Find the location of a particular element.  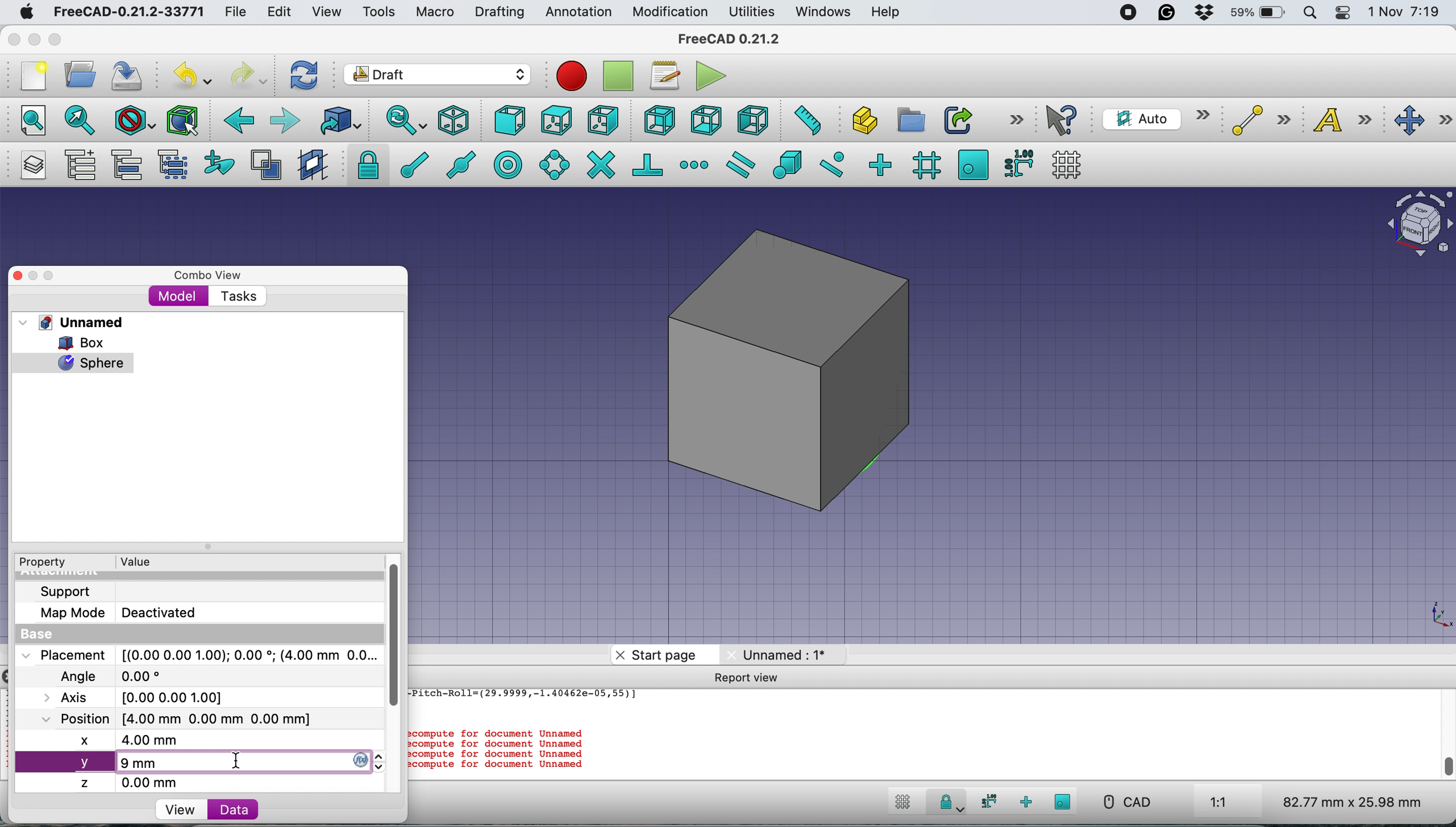

report view is located at coordinates (755, 679).